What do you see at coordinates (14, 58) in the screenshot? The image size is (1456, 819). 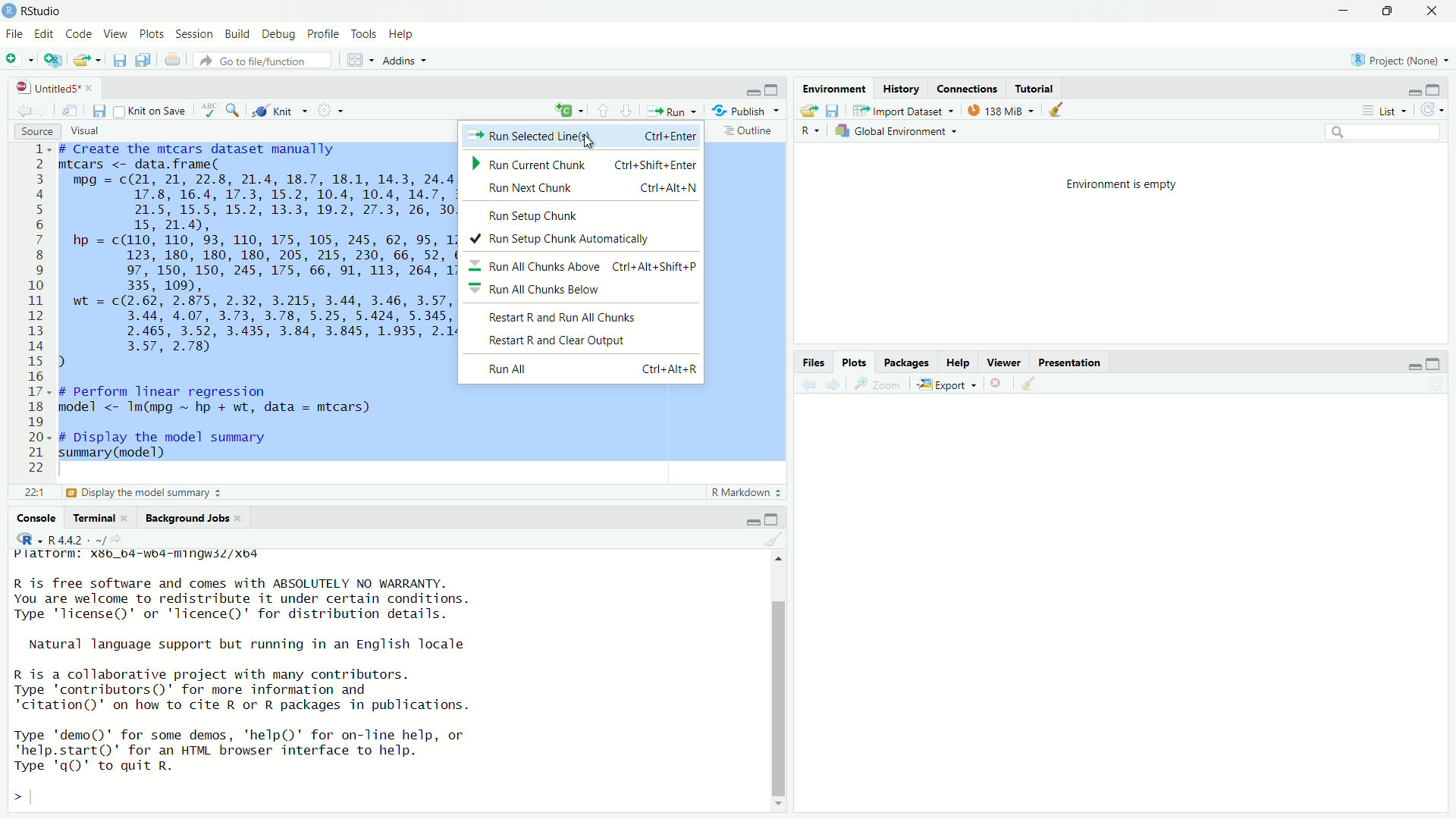 I see `new file` at bounding box center [14, 58].